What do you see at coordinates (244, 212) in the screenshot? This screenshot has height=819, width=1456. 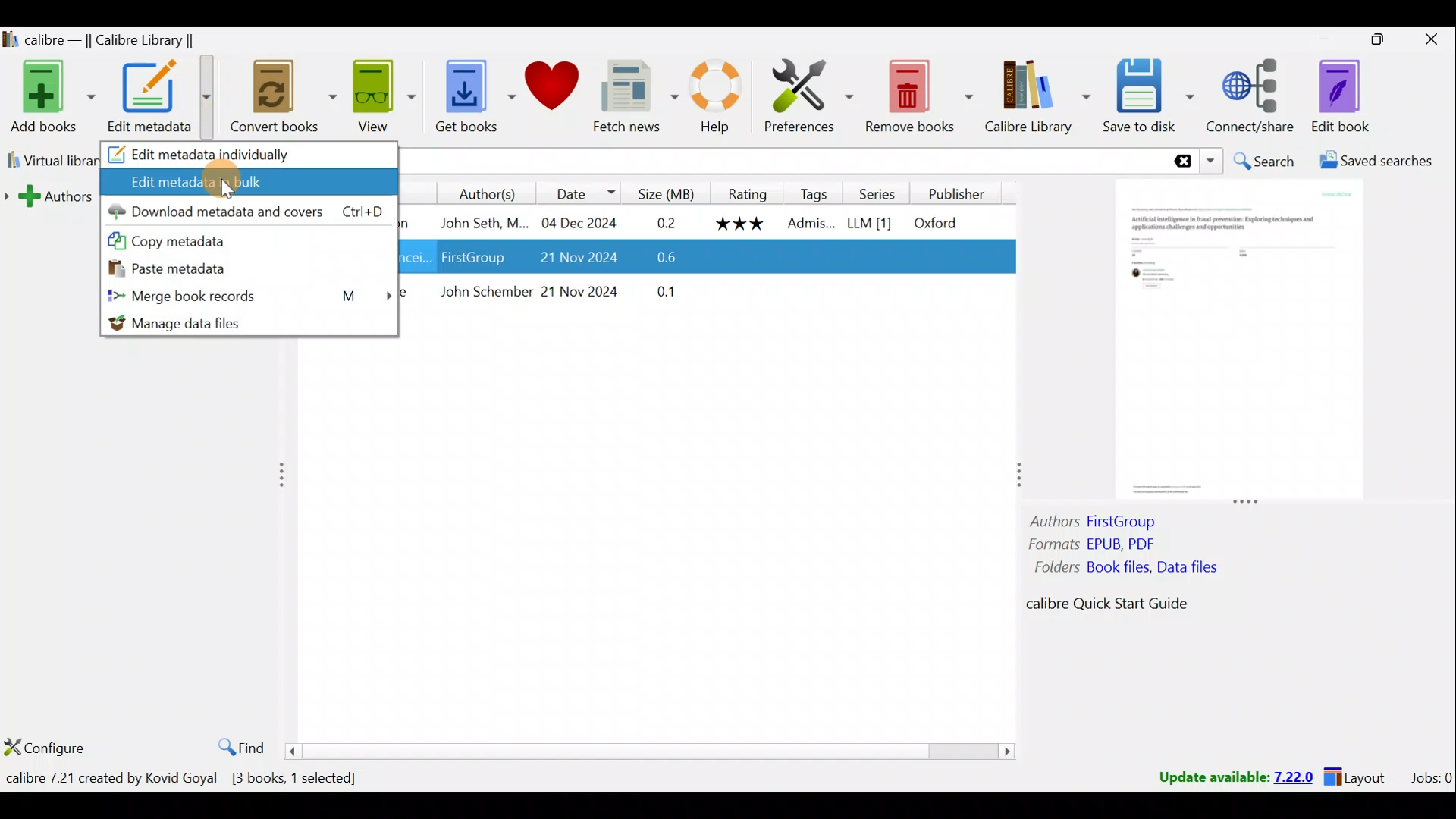 I see `Download metadata and covers` at bounding box center [244, 212].